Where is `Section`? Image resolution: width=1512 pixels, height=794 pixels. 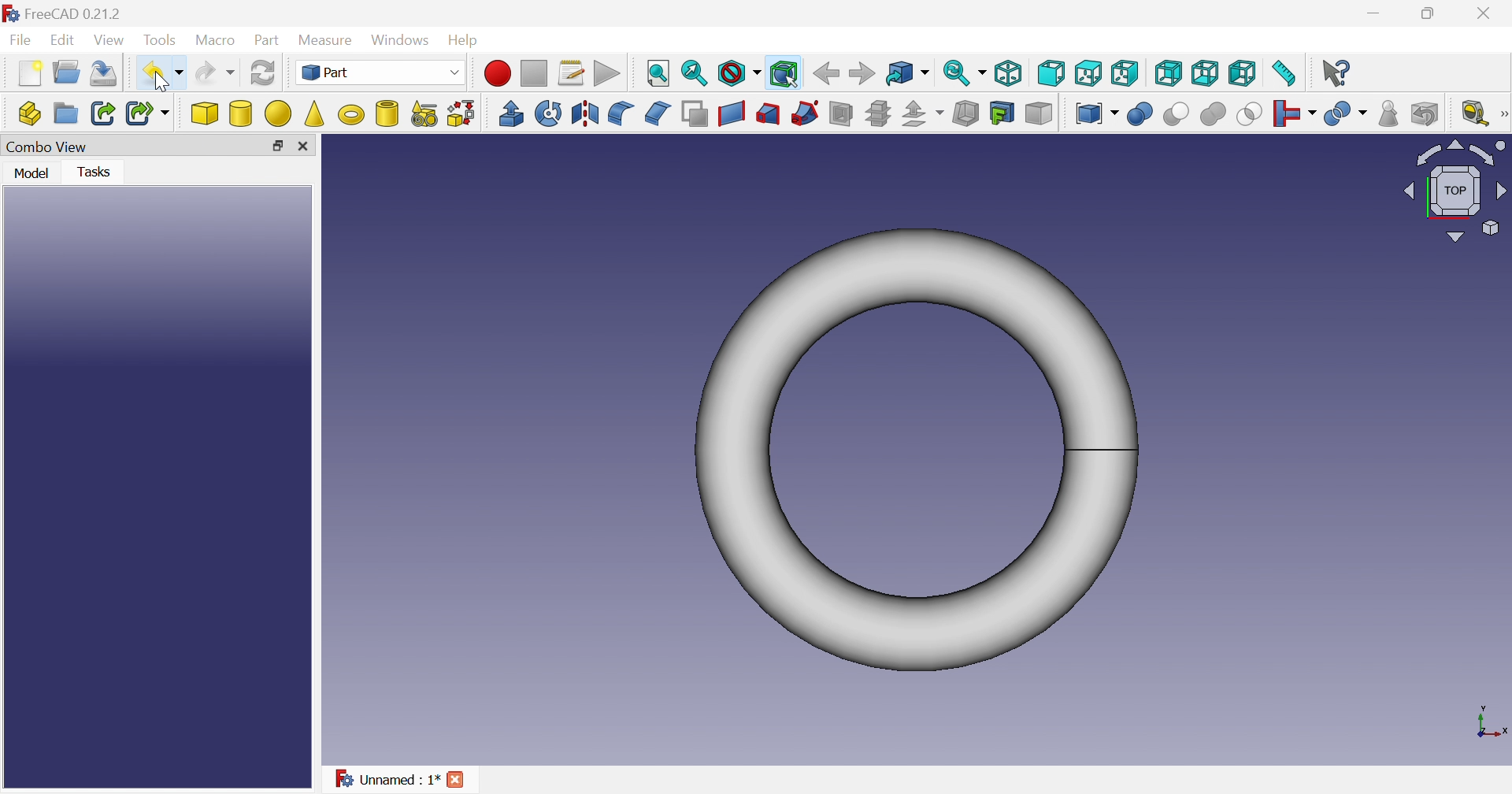 Section is located at coordinates (841, 115).